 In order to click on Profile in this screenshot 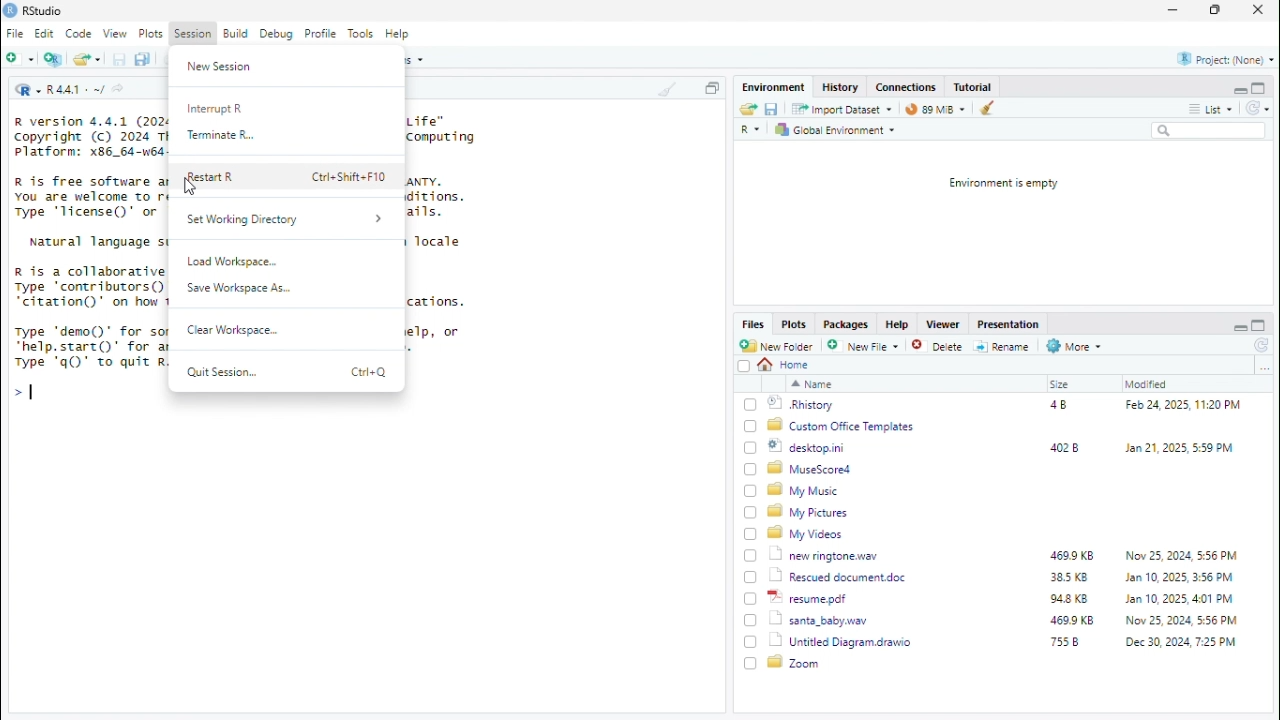, I will do `click(323, 34)`.